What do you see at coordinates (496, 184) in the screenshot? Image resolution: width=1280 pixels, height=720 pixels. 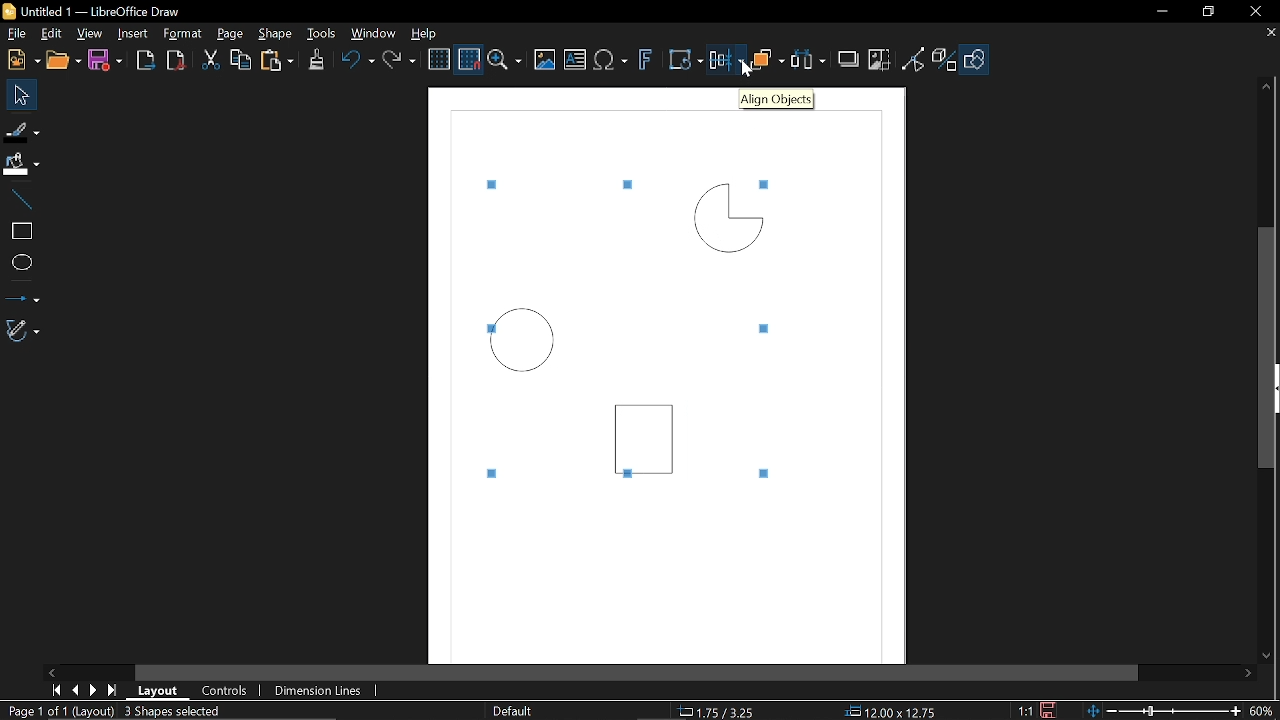 I see `Tiny squares sound selected objects` at bounding box center [496, 184].